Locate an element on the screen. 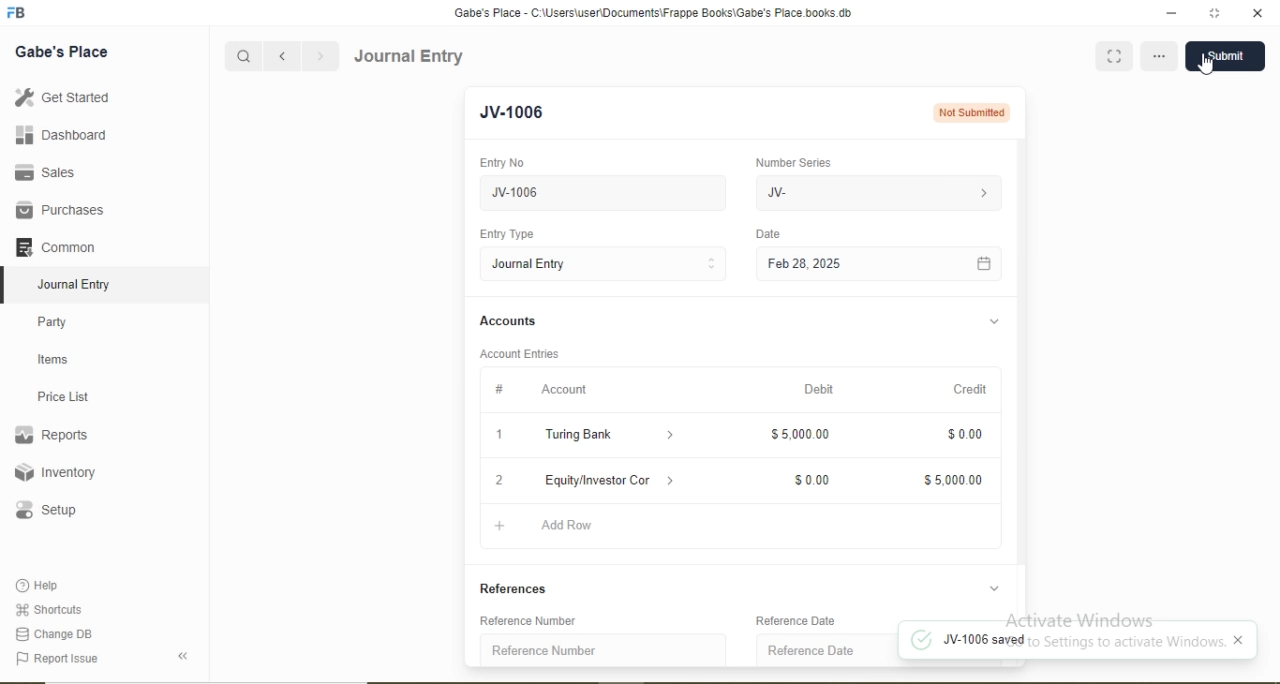 The width and height of the screenshot is (1280, 684). Party is located at coordinates (53, 324).